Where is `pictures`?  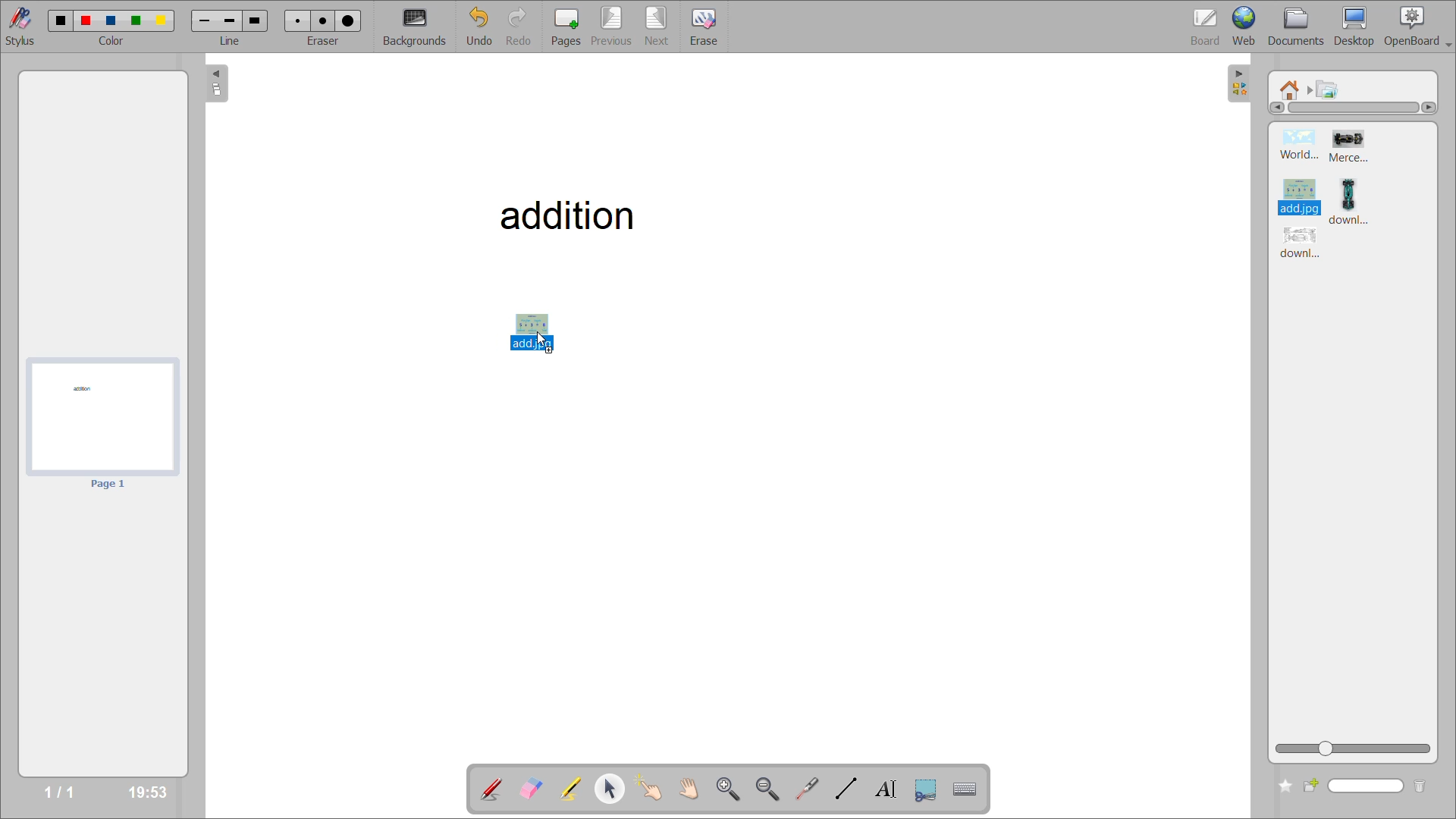 pictures is located at coordinates (1329, 89).